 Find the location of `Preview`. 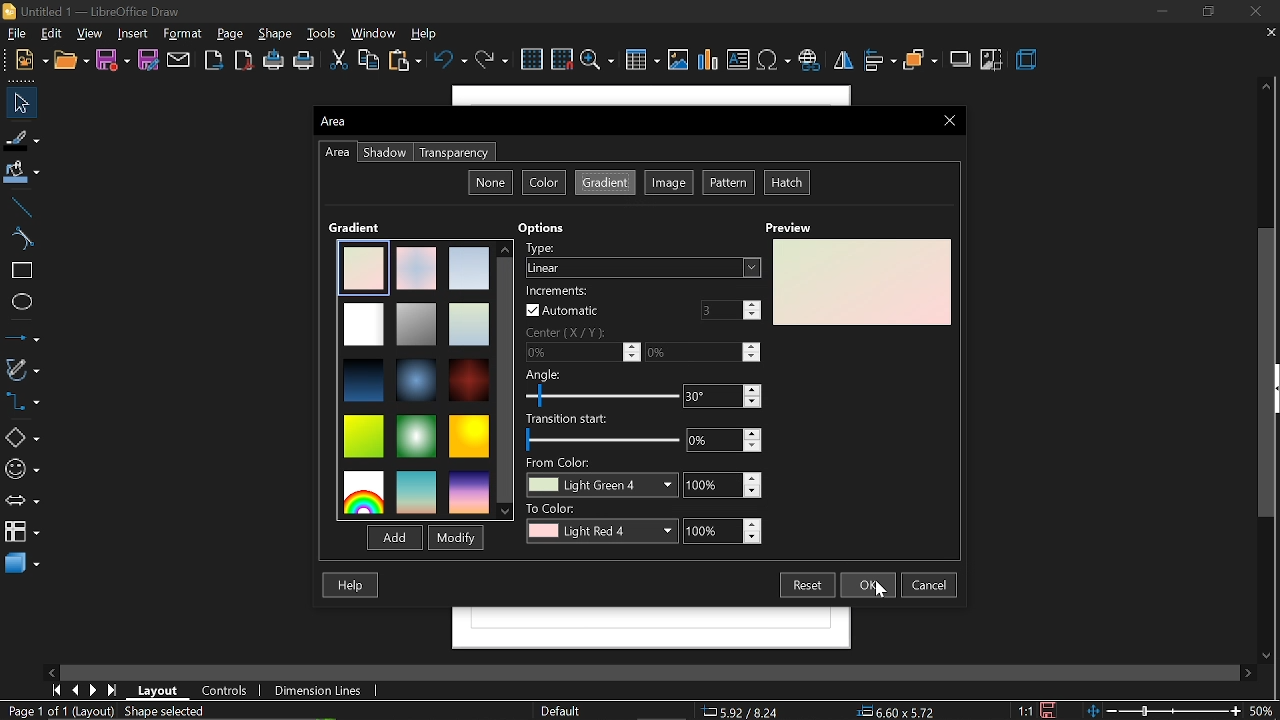

Preview is located at coordinates (786, 227).